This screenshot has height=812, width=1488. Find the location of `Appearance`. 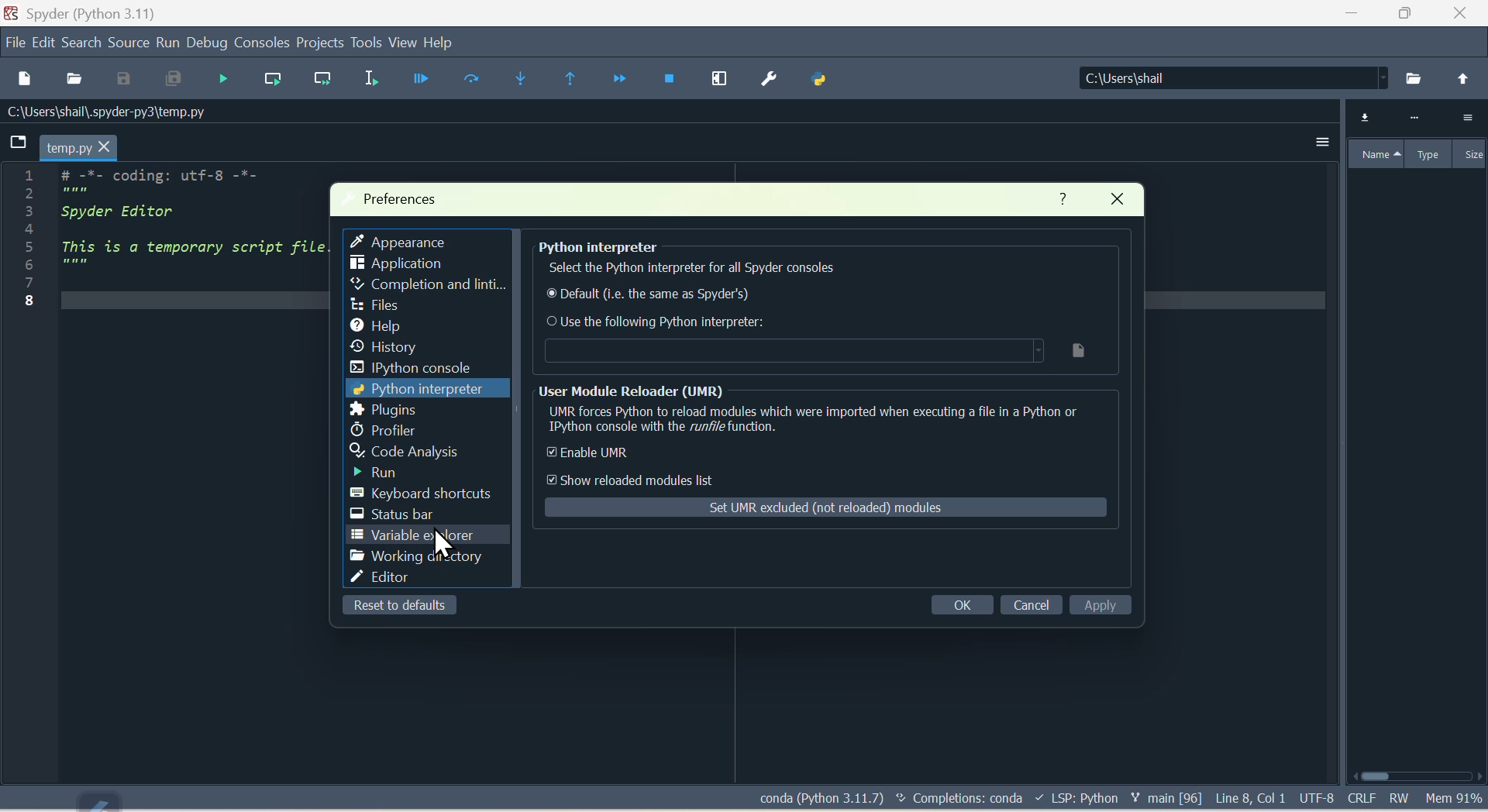

Appearance is located at coordinates (402, 239).